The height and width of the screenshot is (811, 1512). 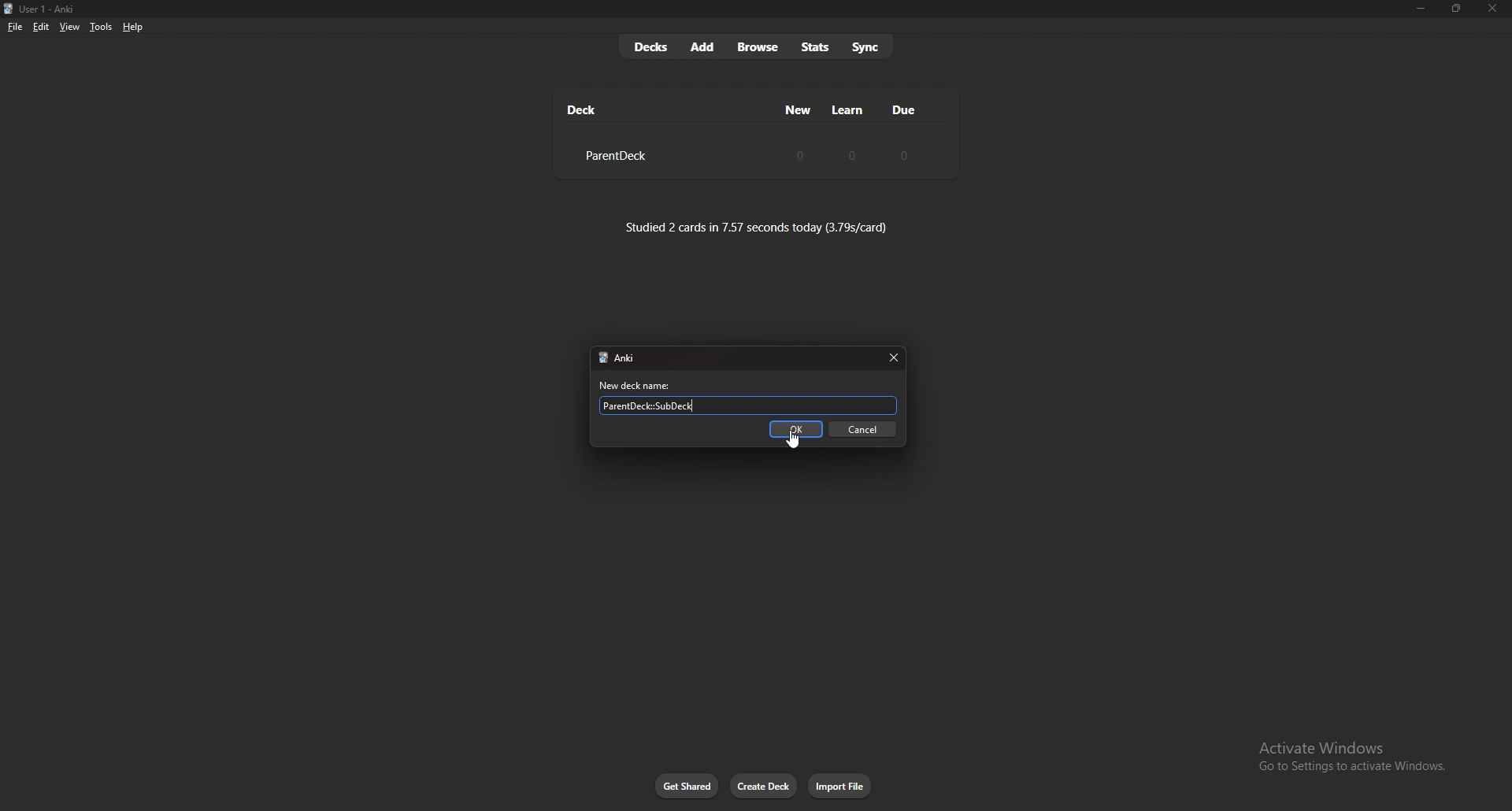 What do you see at coordinates (867, 46) in the screenshot?
I see `sync` at bounding box center [867, 46].